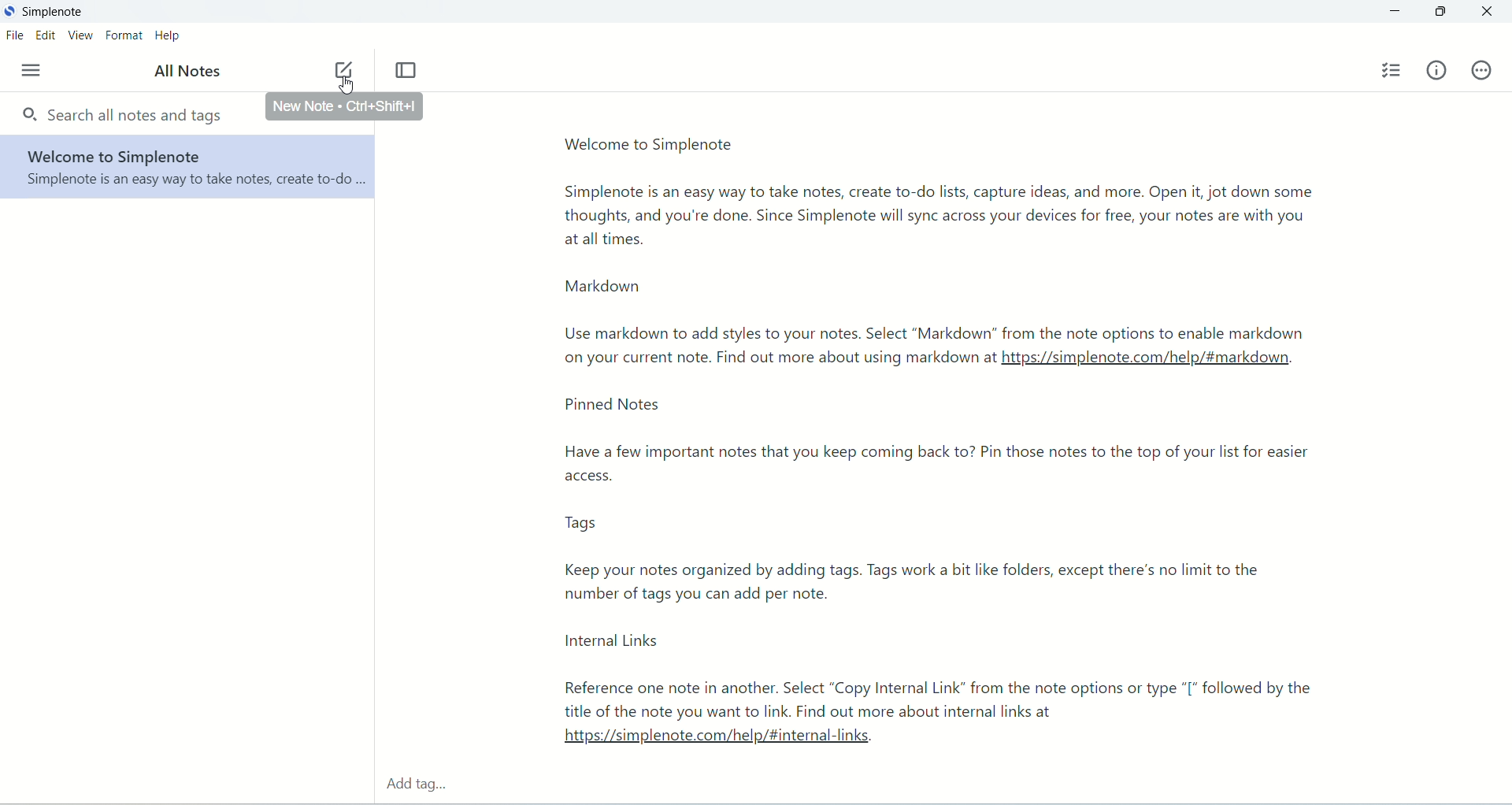 The image size is (1512, 805). Describe the element at coordinates (122, 35) in the screenshot. I see `format` at that location.